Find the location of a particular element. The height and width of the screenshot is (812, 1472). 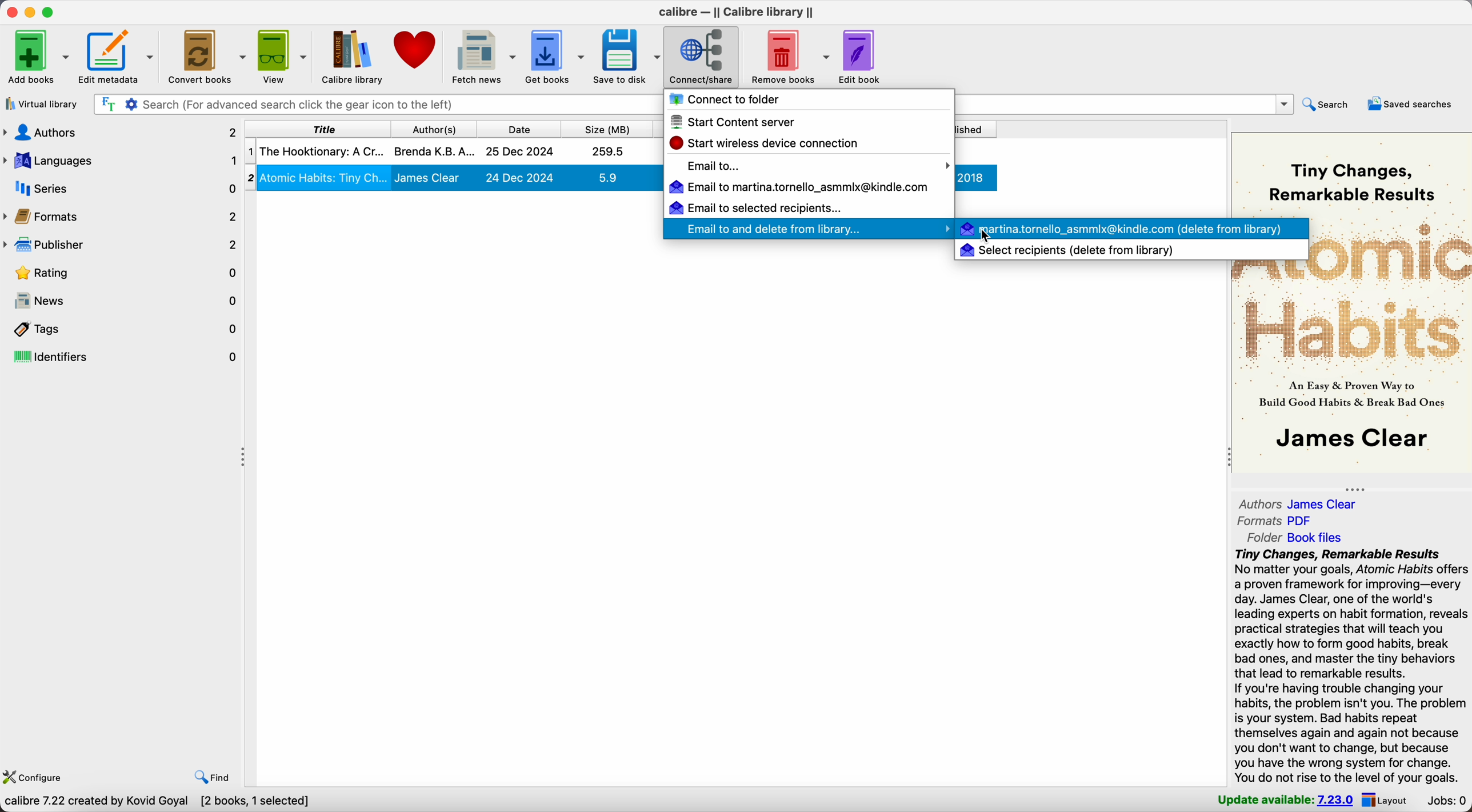

maximize Calibre is located at coordinates (51, 11).